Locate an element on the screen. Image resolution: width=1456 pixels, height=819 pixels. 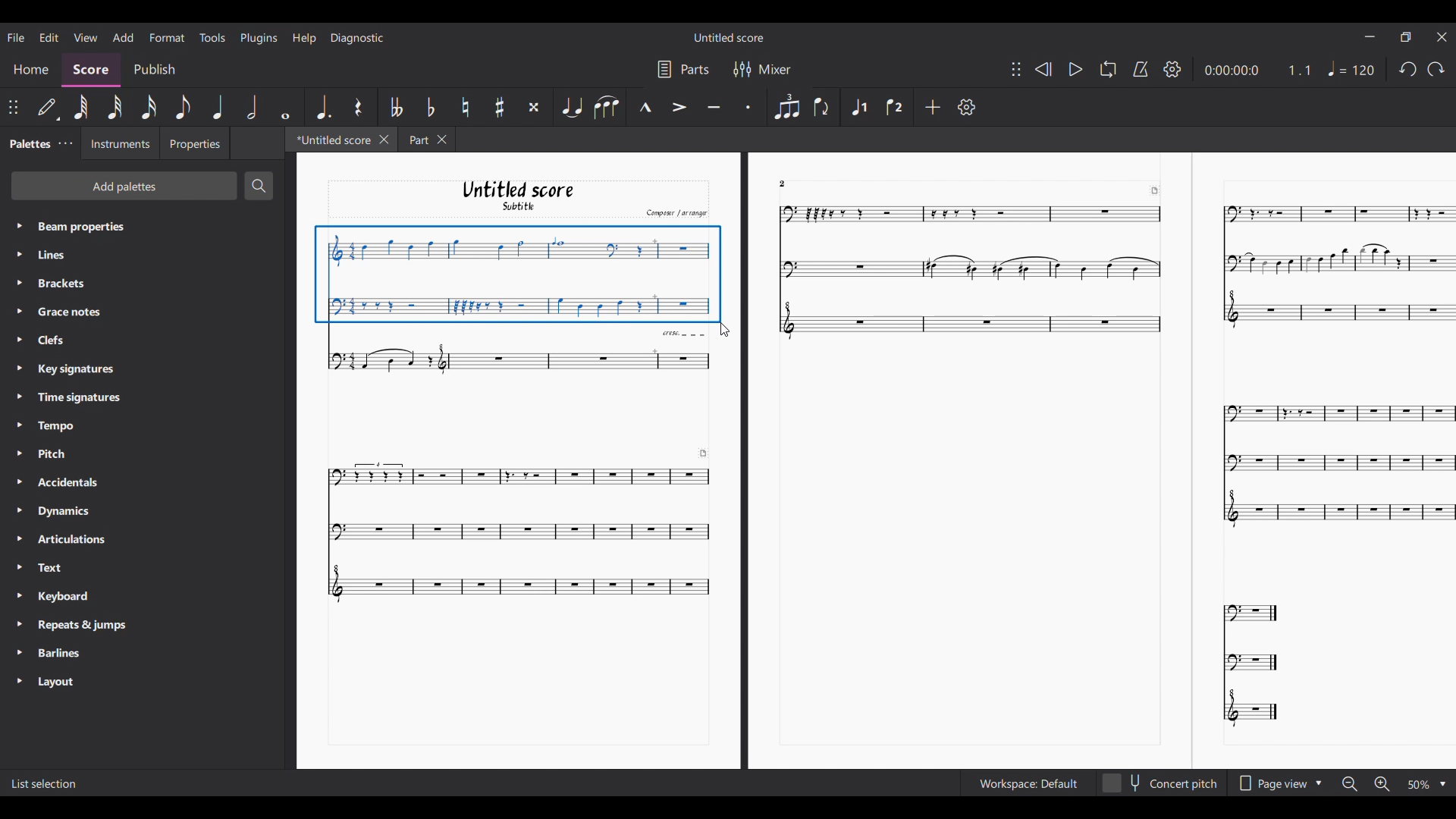
Tools is located at coordinates (212, 37).